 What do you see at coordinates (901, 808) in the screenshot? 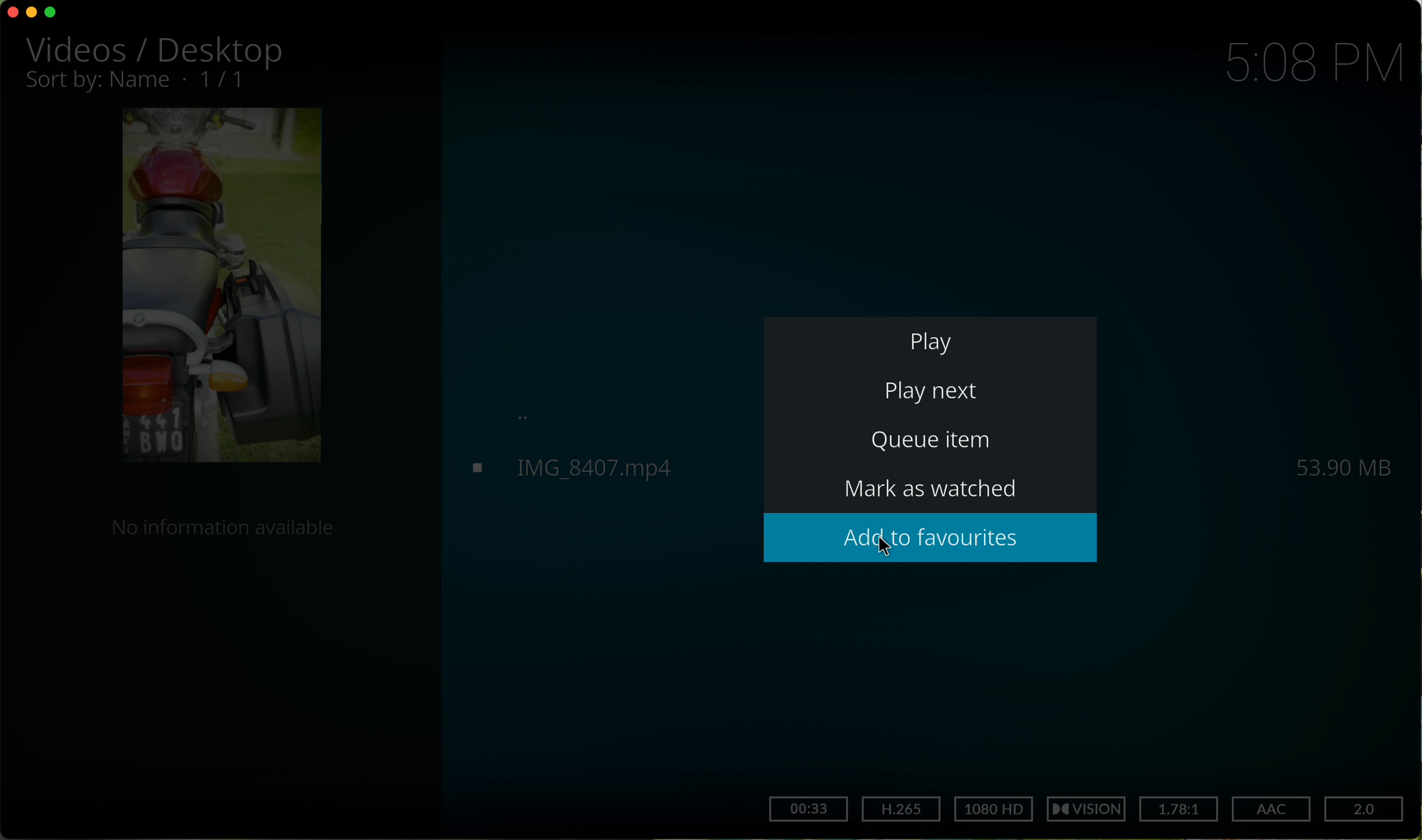
I see `H.265` at bounding box center [901, 808].